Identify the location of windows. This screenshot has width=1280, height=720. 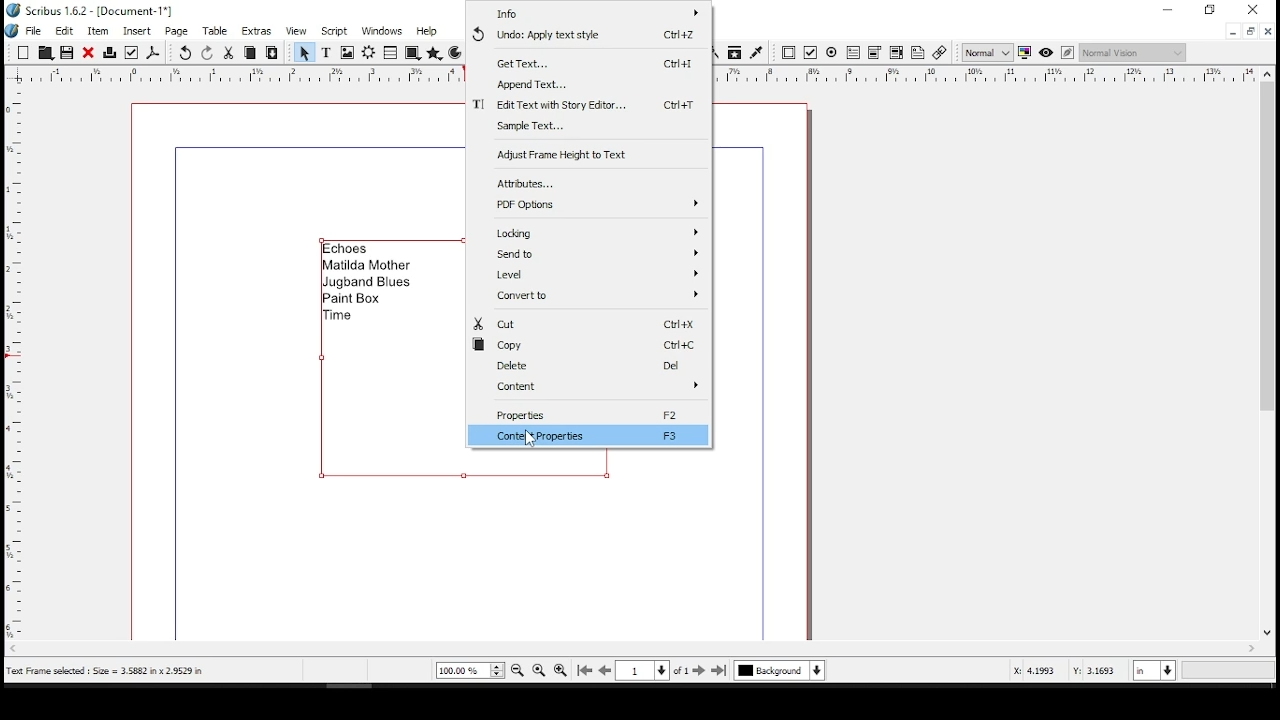
(381, 31).